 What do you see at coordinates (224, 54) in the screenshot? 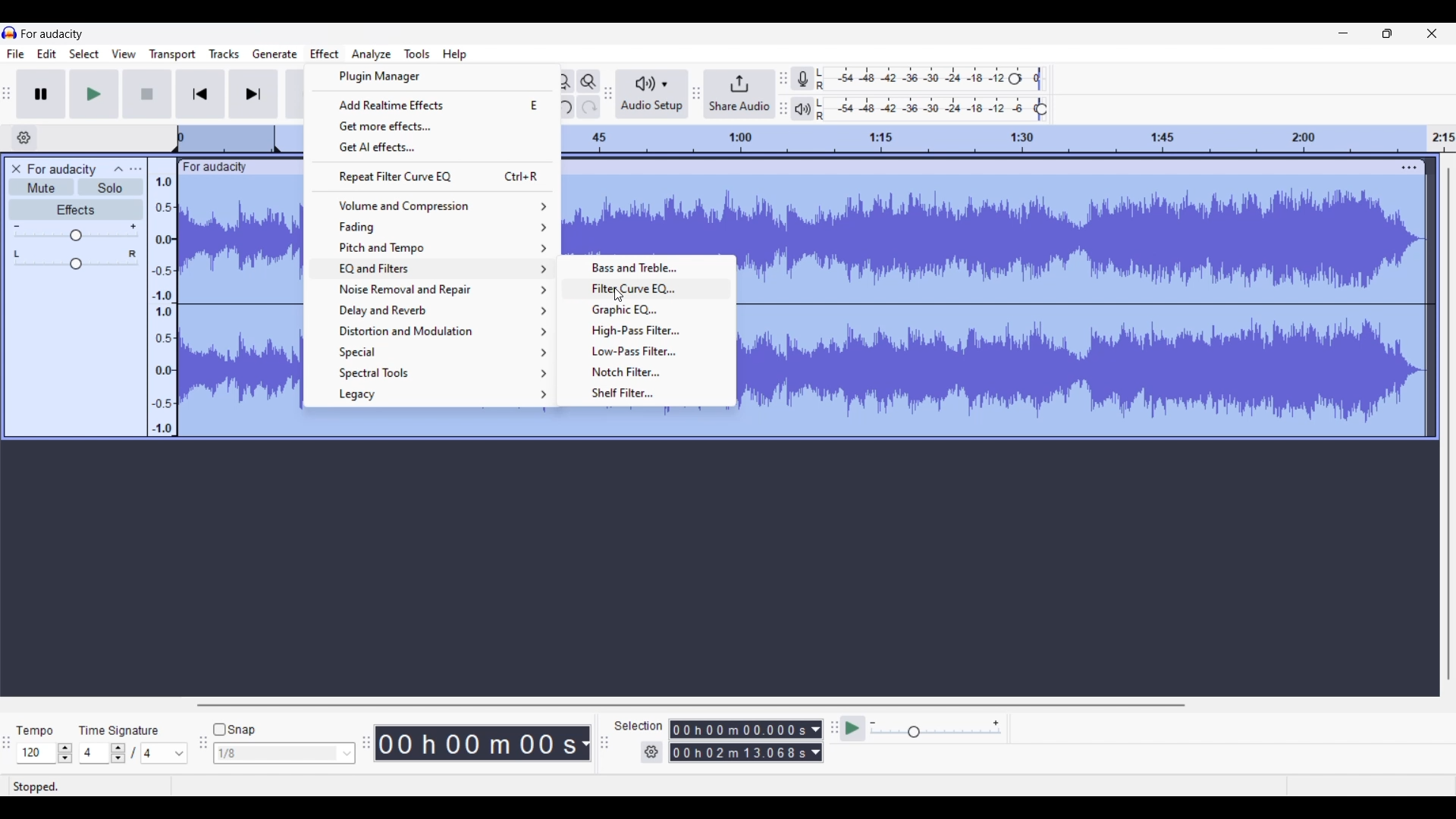
I see `Tracks menu` at bounding box center [224, 54].